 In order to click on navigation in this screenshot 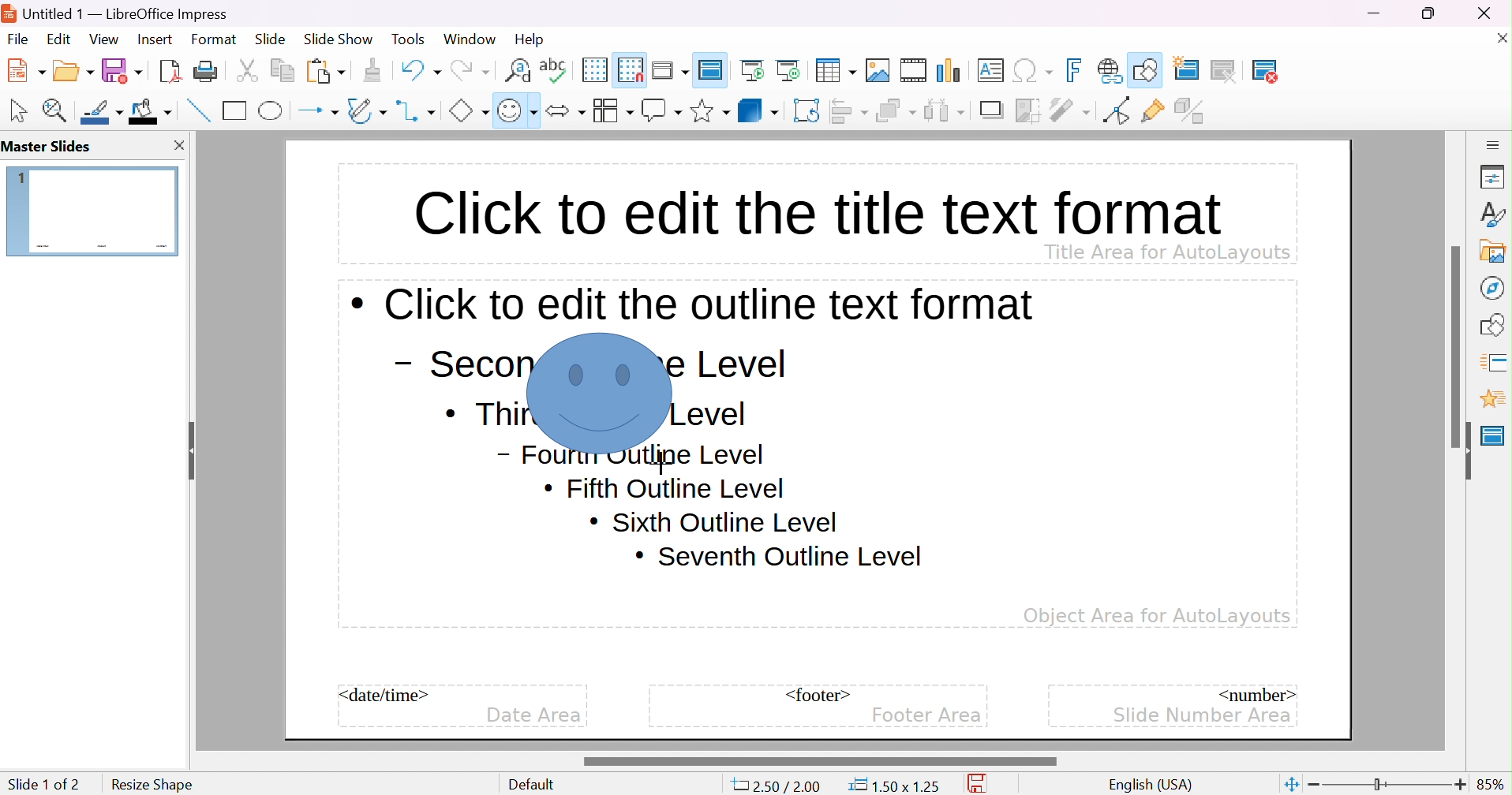, I will do `click(1491, 287)`.